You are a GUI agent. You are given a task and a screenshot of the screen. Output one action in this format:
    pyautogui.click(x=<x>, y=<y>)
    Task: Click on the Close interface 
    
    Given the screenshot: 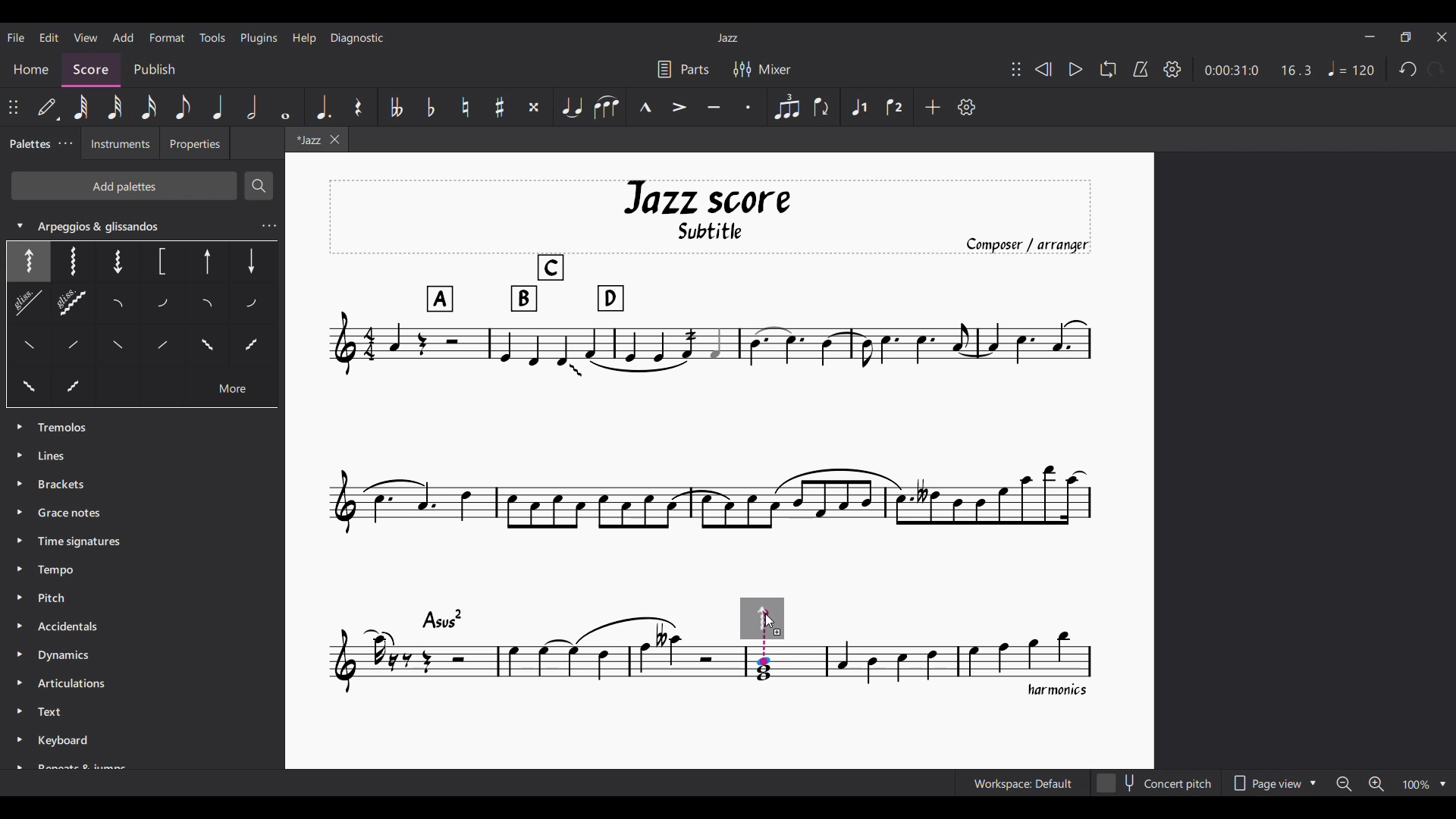 What is the action you would take?
    pyautogui.click(x=1442, y=37)
    